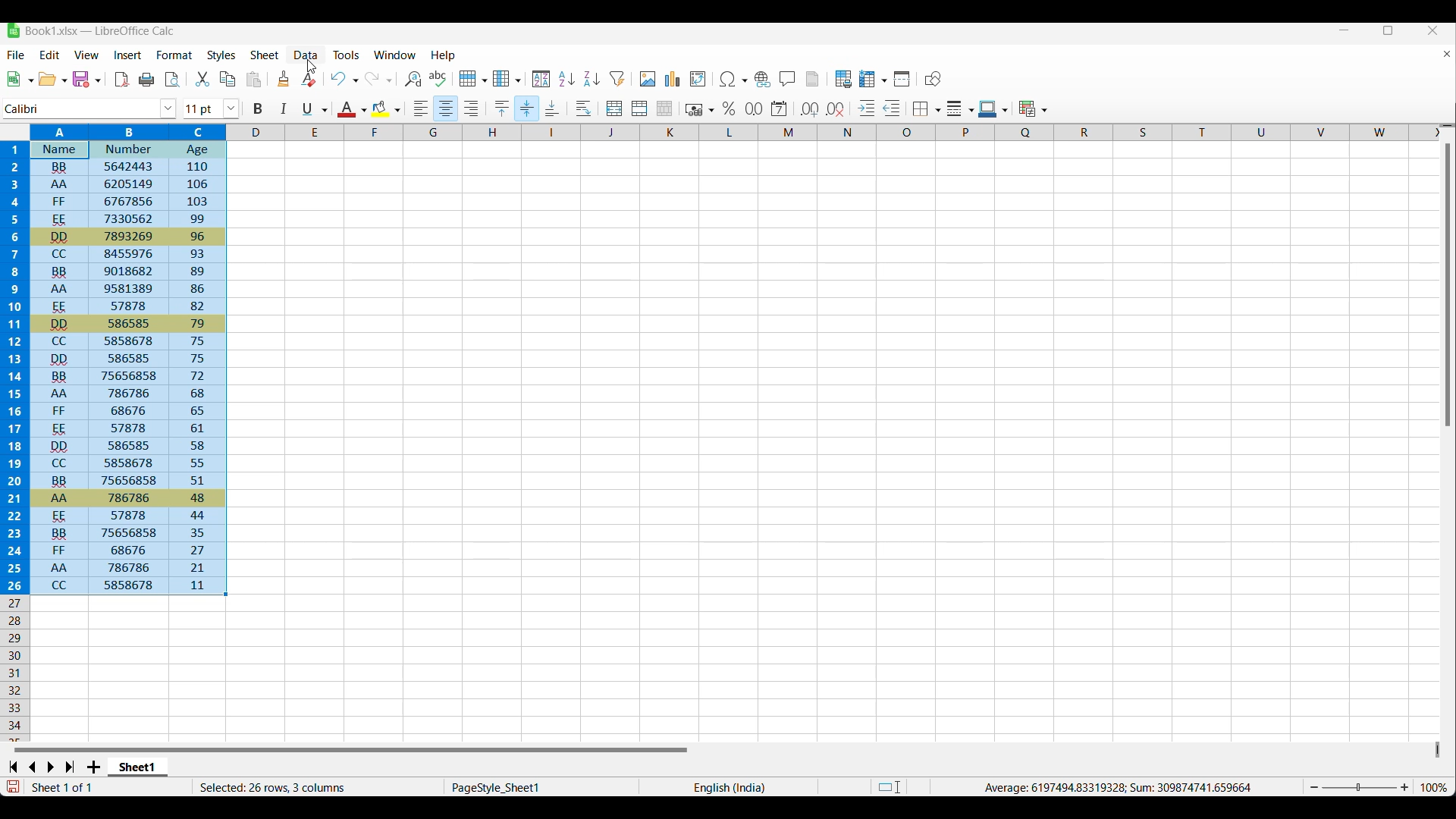 The image size is (1456, 819). Describe the element at coordinates (50, 767) in the screenshot. I see `Go to next sheet` at that location.